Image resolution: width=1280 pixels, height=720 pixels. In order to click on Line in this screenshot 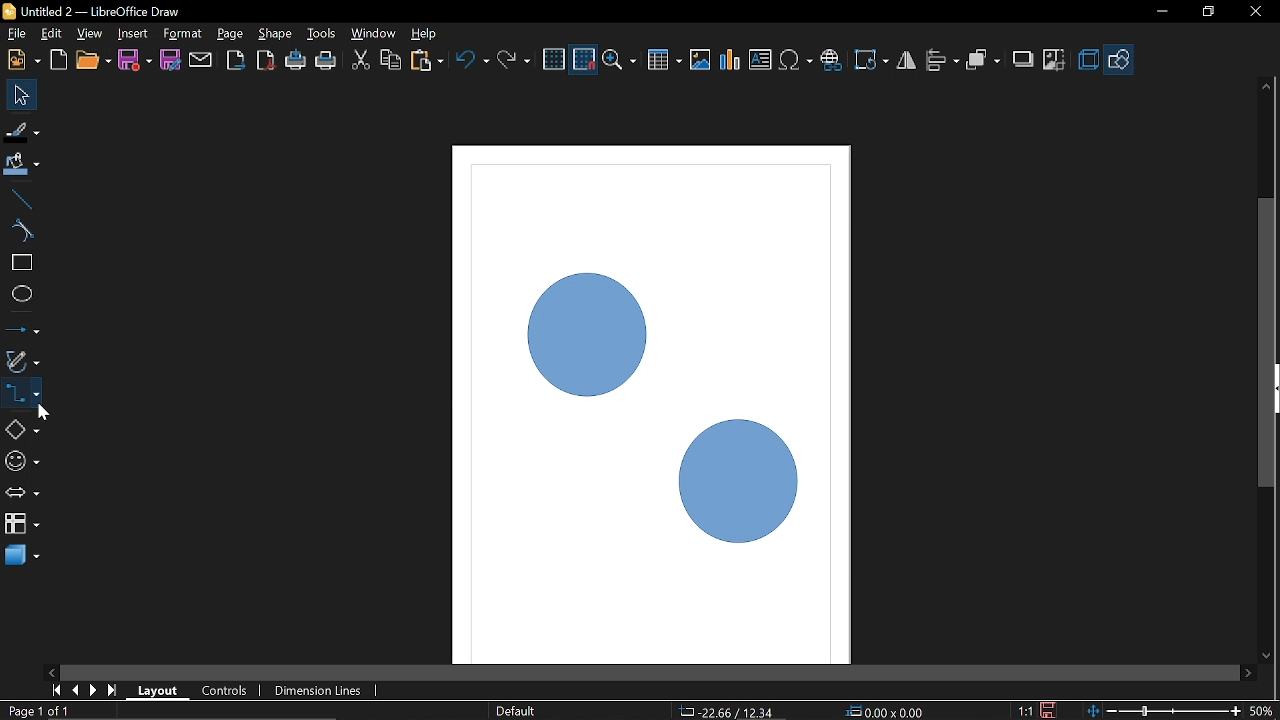, I will do `click(19, 200)`.